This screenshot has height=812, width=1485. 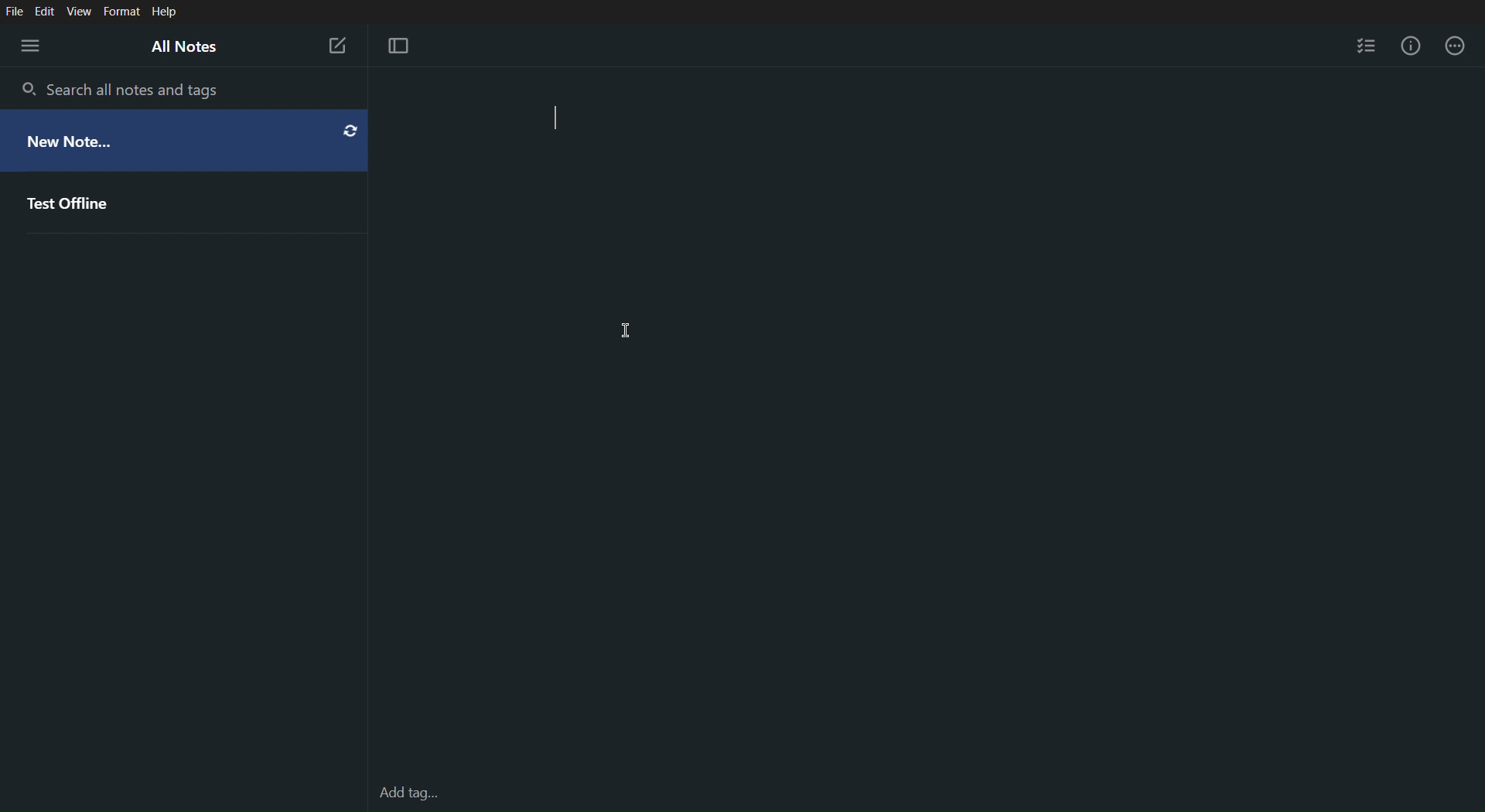 What do you see at coordinates (404, 47) in the screenshot?
I see `Focus Mode` at bounding box center [404, 47].